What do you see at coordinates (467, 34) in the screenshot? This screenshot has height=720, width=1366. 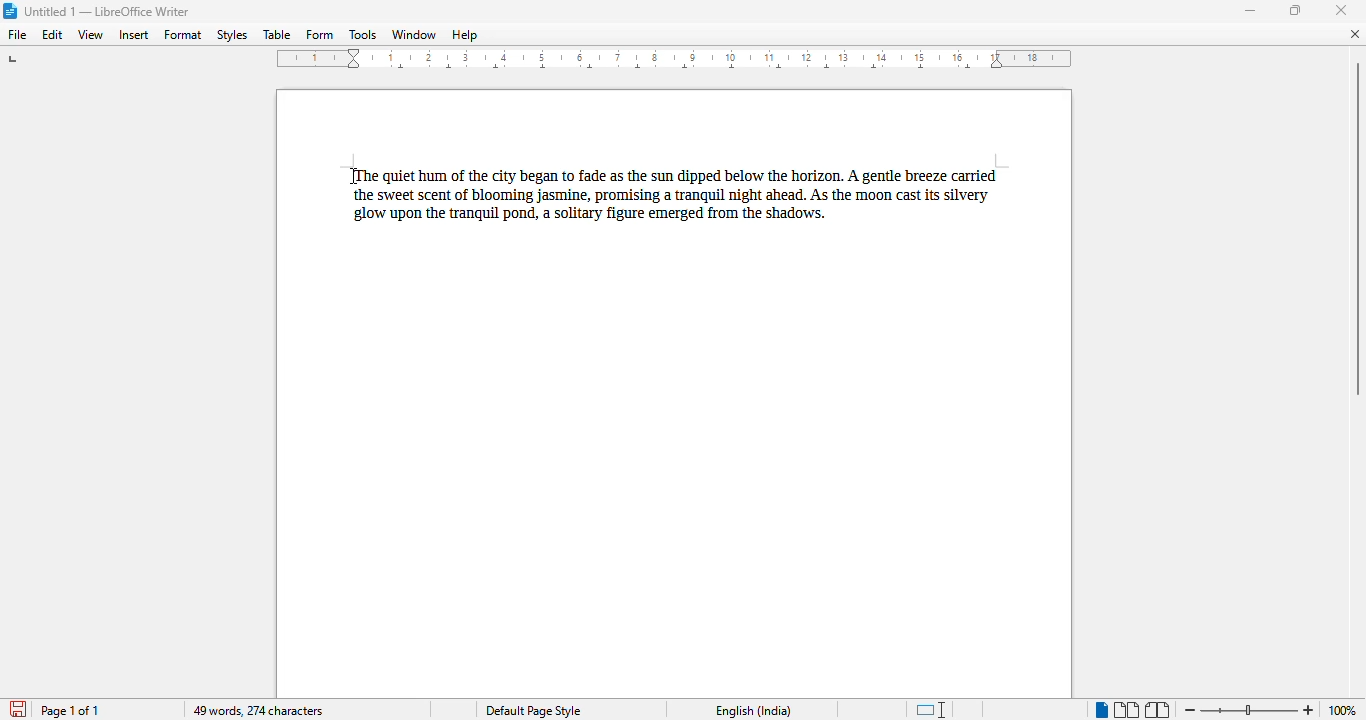 I see `help` at bounding box center [467, 34].